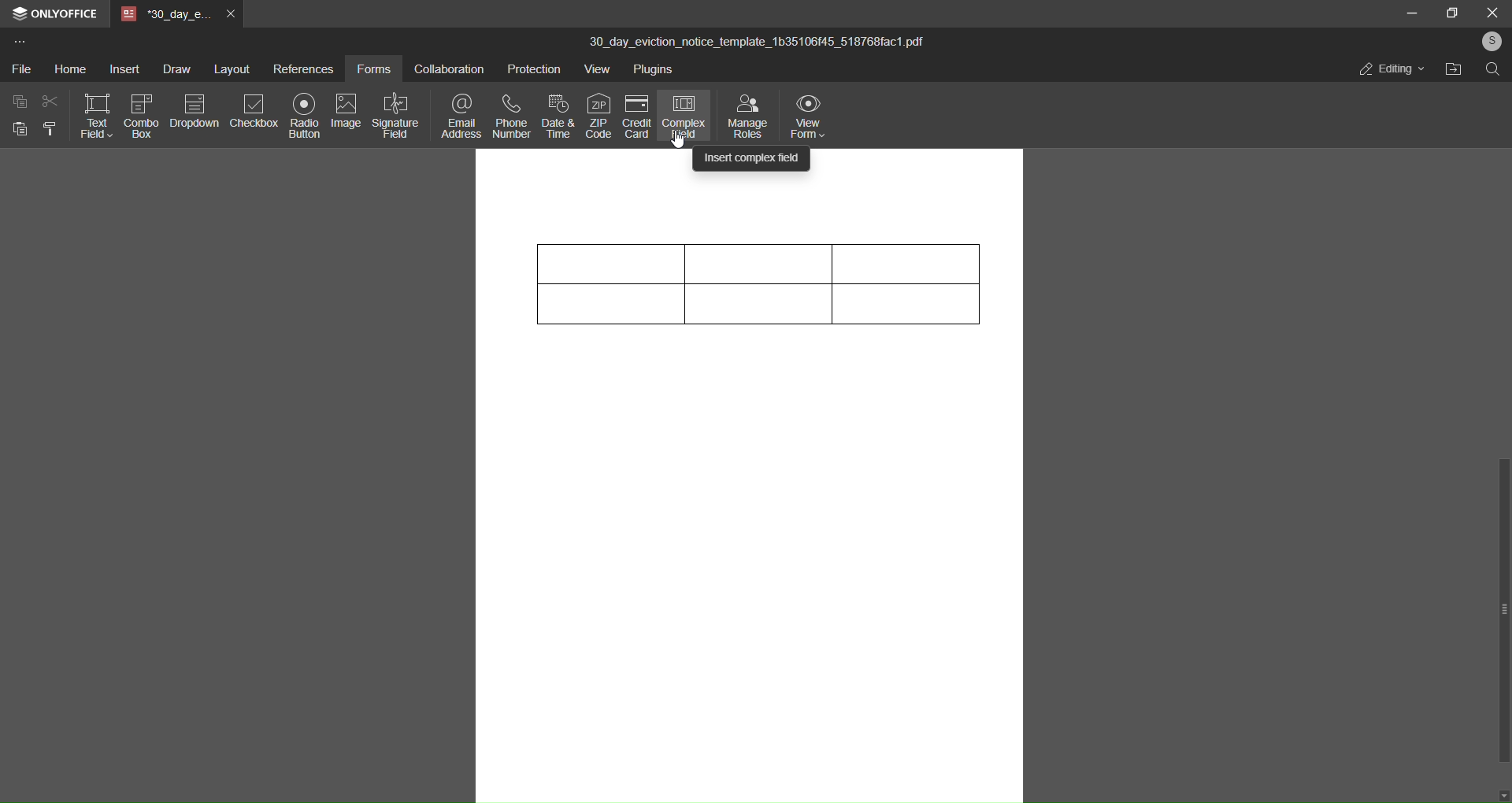 The image size is (1512, 803). What do you see at coordinates (1489, 41) in the screenshot?
I see `user` at bounding box center [1489, 41].